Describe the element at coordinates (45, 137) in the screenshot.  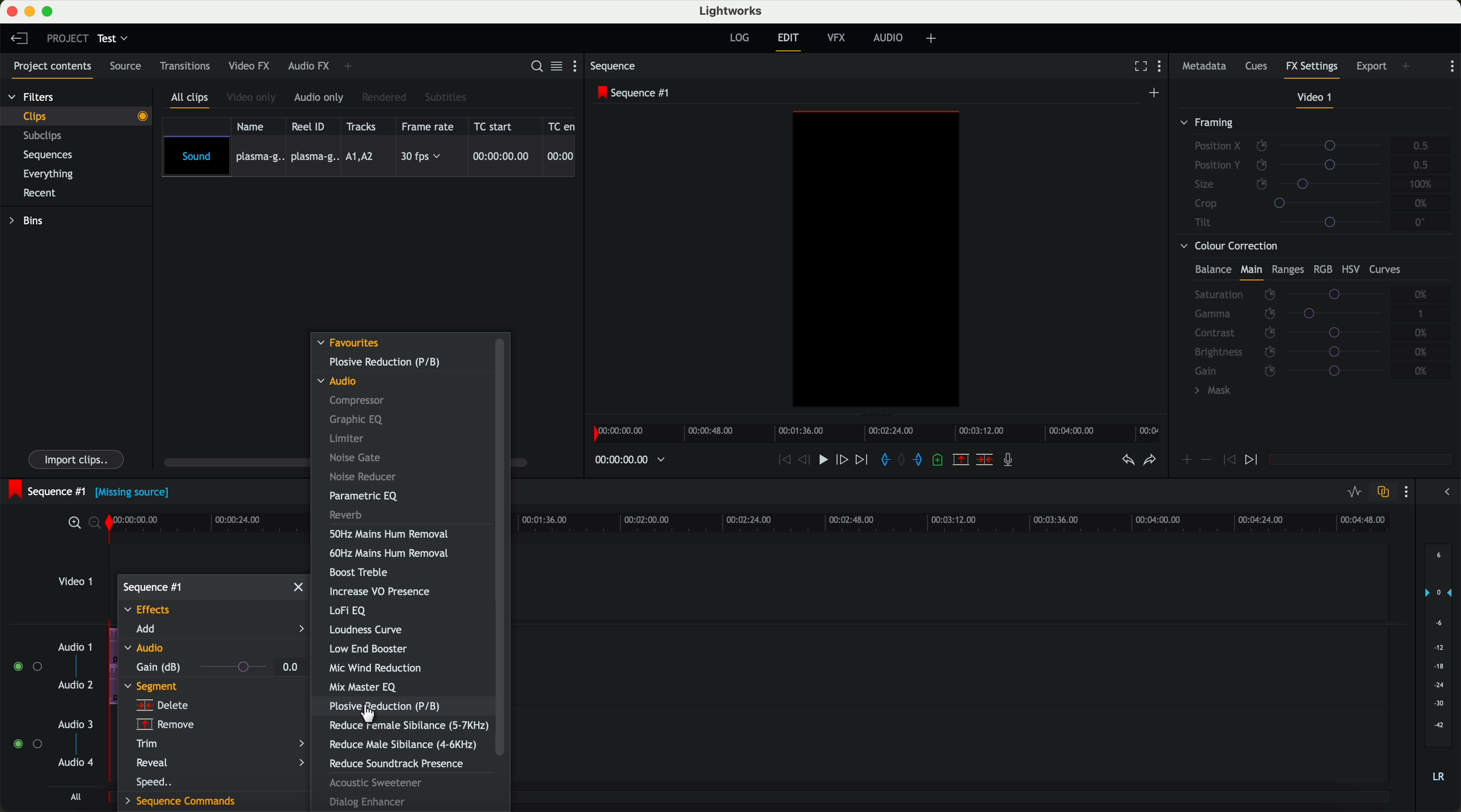
I see `subclips` at that location.